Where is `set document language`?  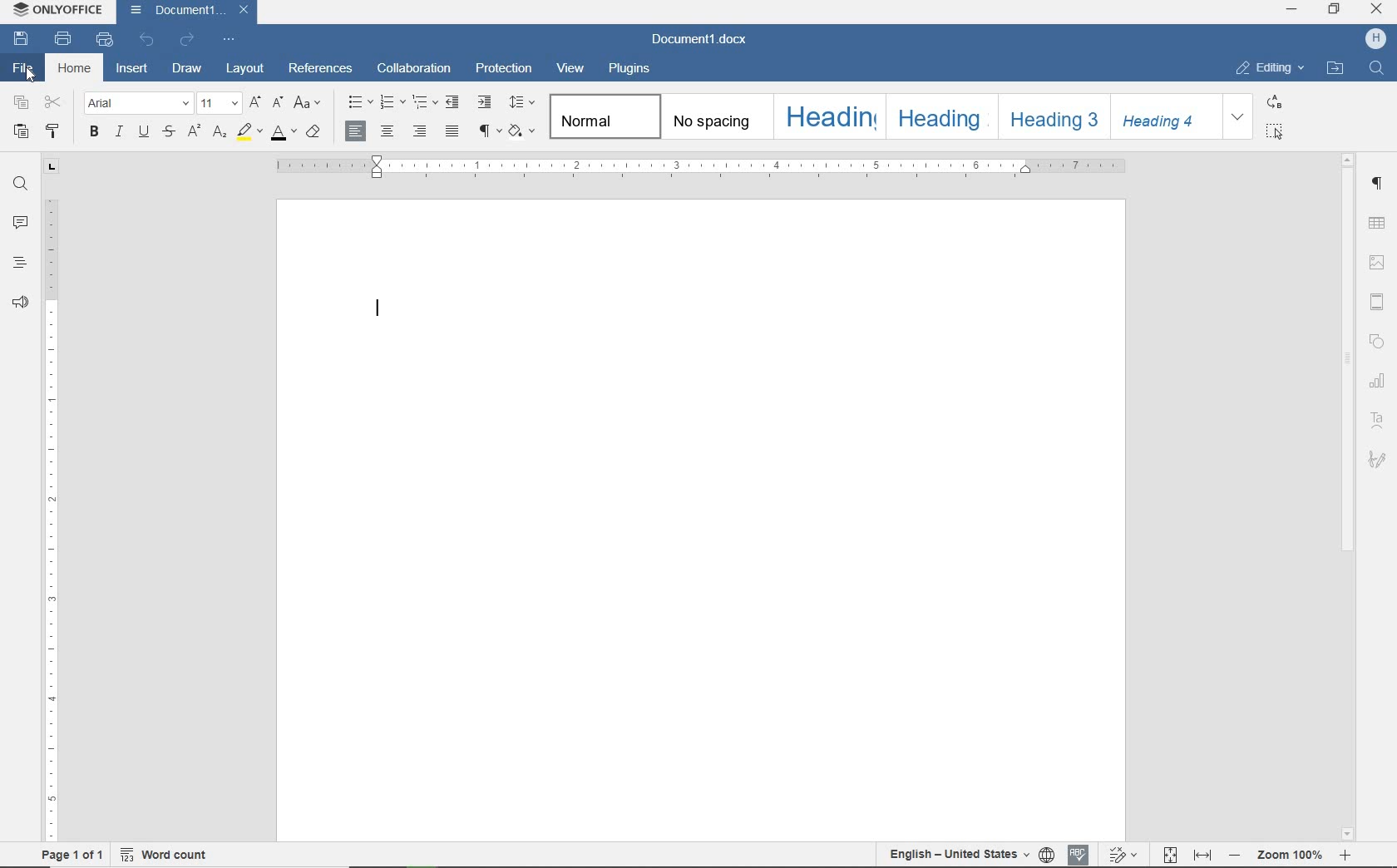
set document language is located at coordinates (1048, 855).